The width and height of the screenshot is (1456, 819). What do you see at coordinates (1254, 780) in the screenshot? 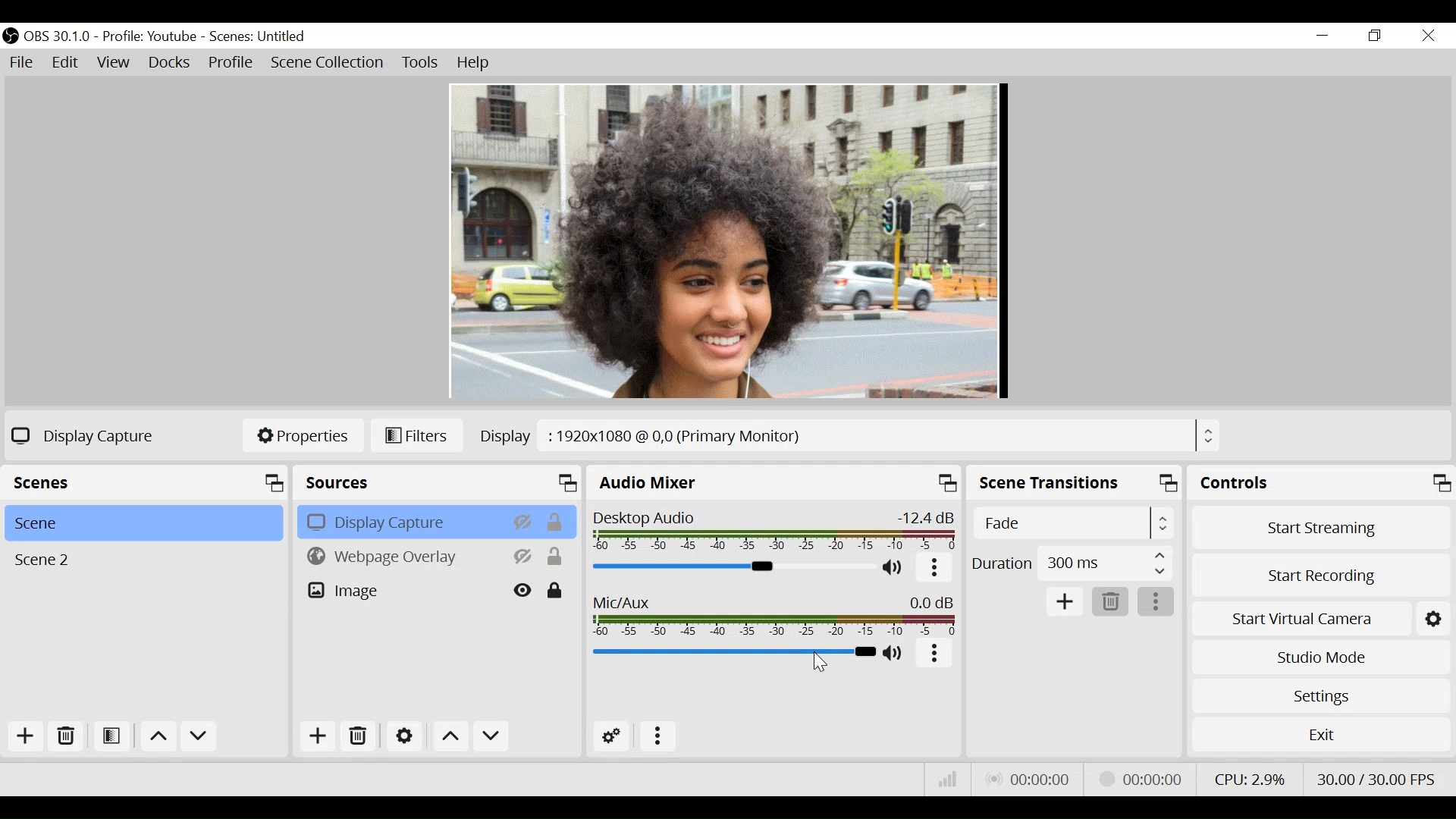
I see `CPU Usage` at bounding box center [1254, 780].